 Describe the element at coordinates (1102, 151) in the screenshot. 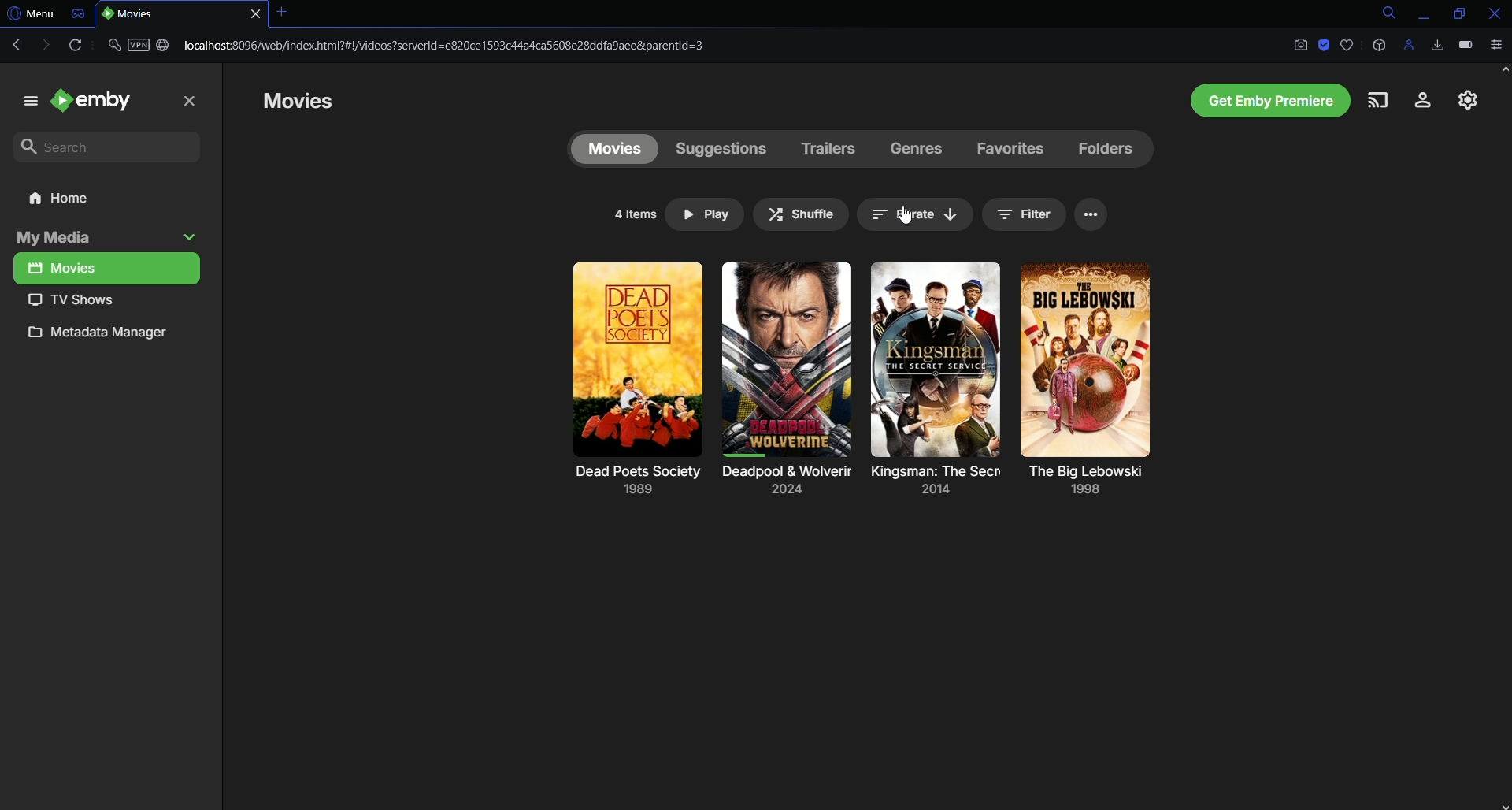

I see `Folders` at that location.